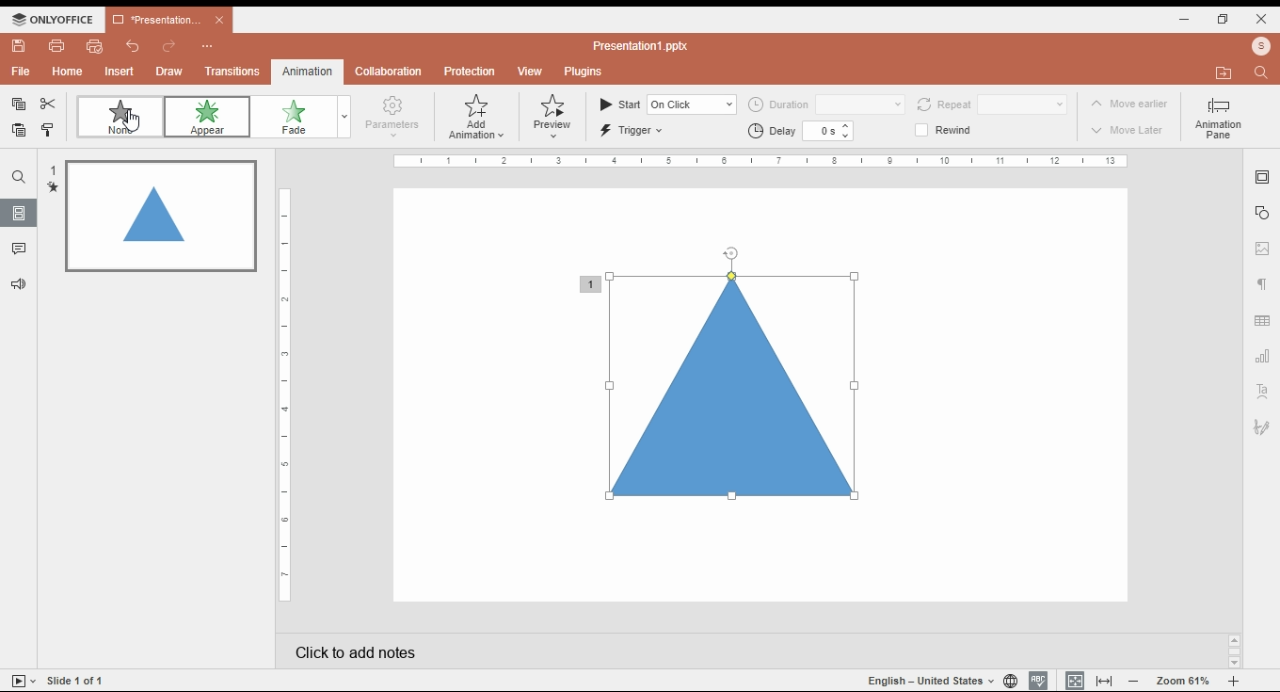  I want to click on copy, so click(19, 104).